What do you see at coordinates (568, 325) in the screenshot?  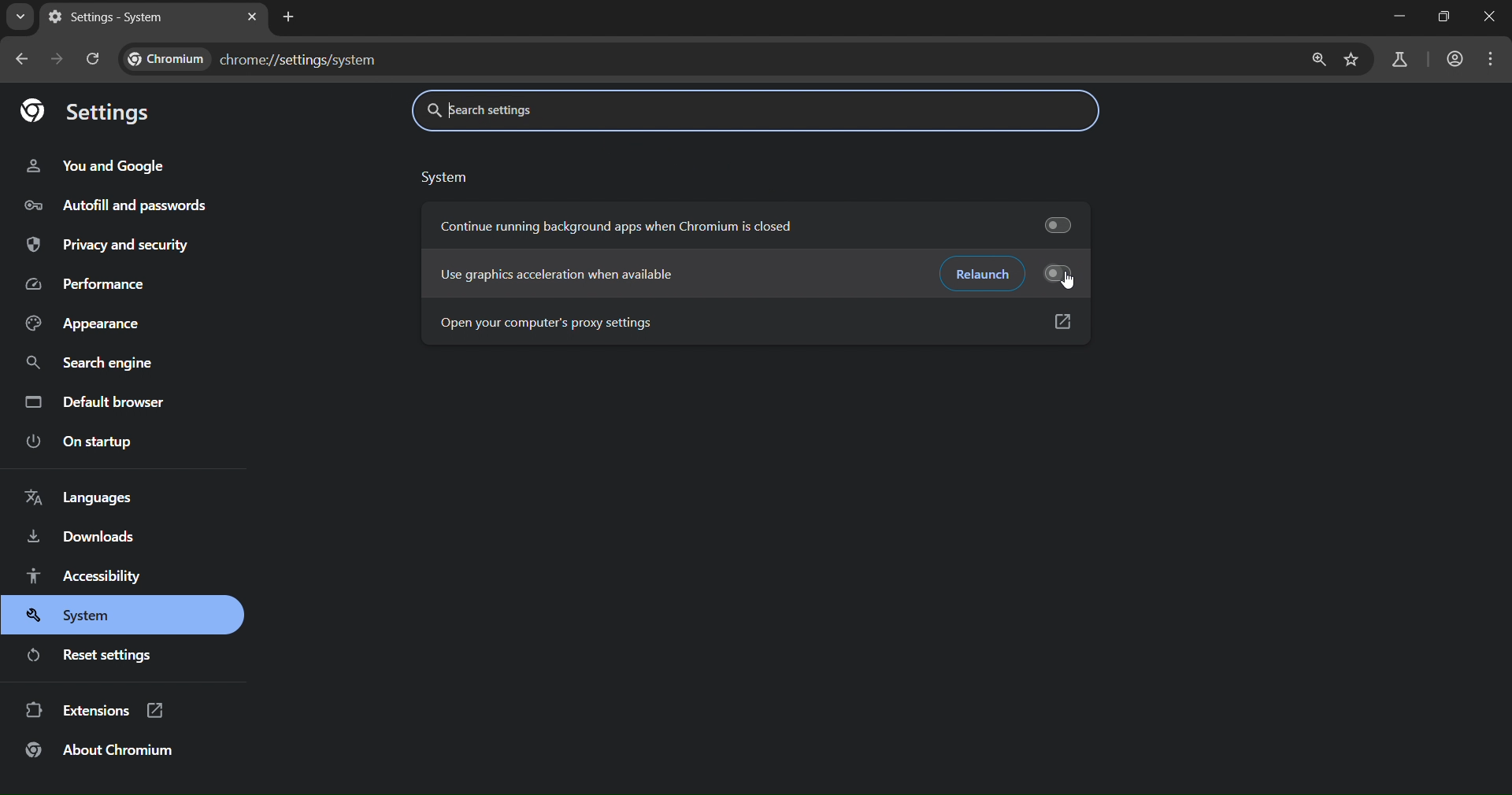 I see `open your computer's proxy settings` at bounding box center [568, 325].